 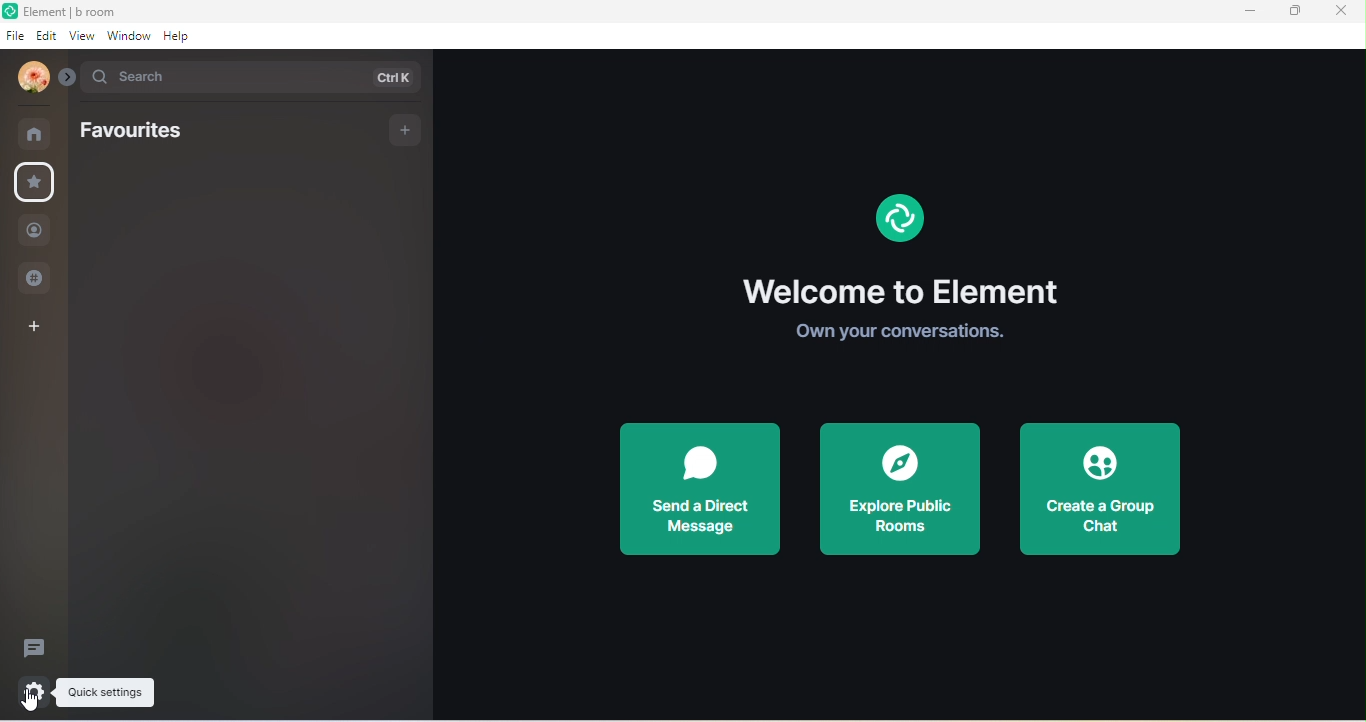 What do you see at coordinates (1252, 11) in the screenshot?
I see `minimize` at bounding box center [1252, 11].